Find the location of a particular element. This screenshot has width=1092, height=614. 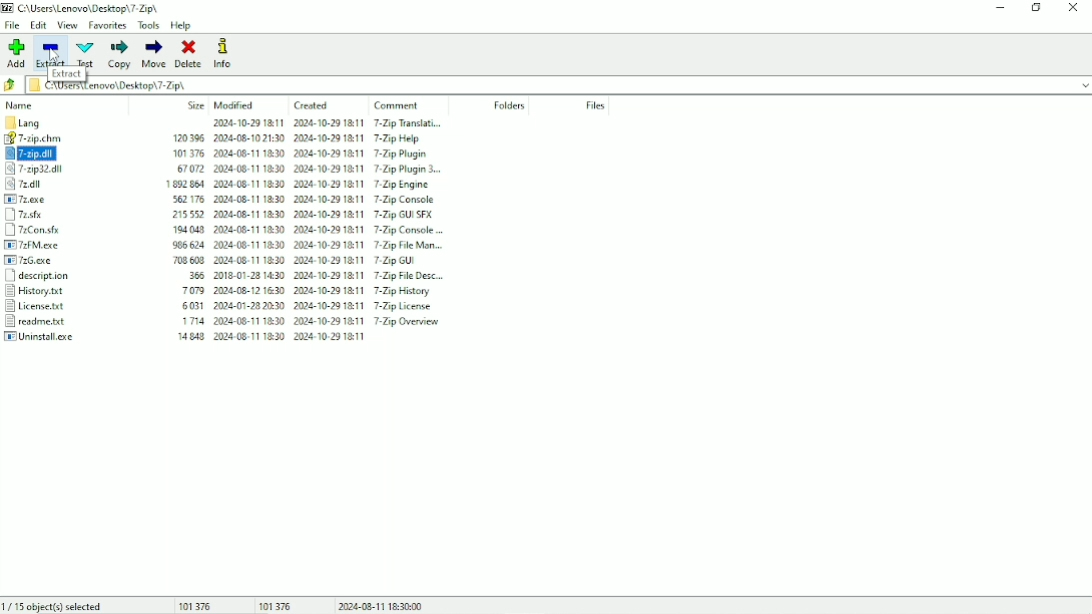

Close is located at coordinates (1075, 7).